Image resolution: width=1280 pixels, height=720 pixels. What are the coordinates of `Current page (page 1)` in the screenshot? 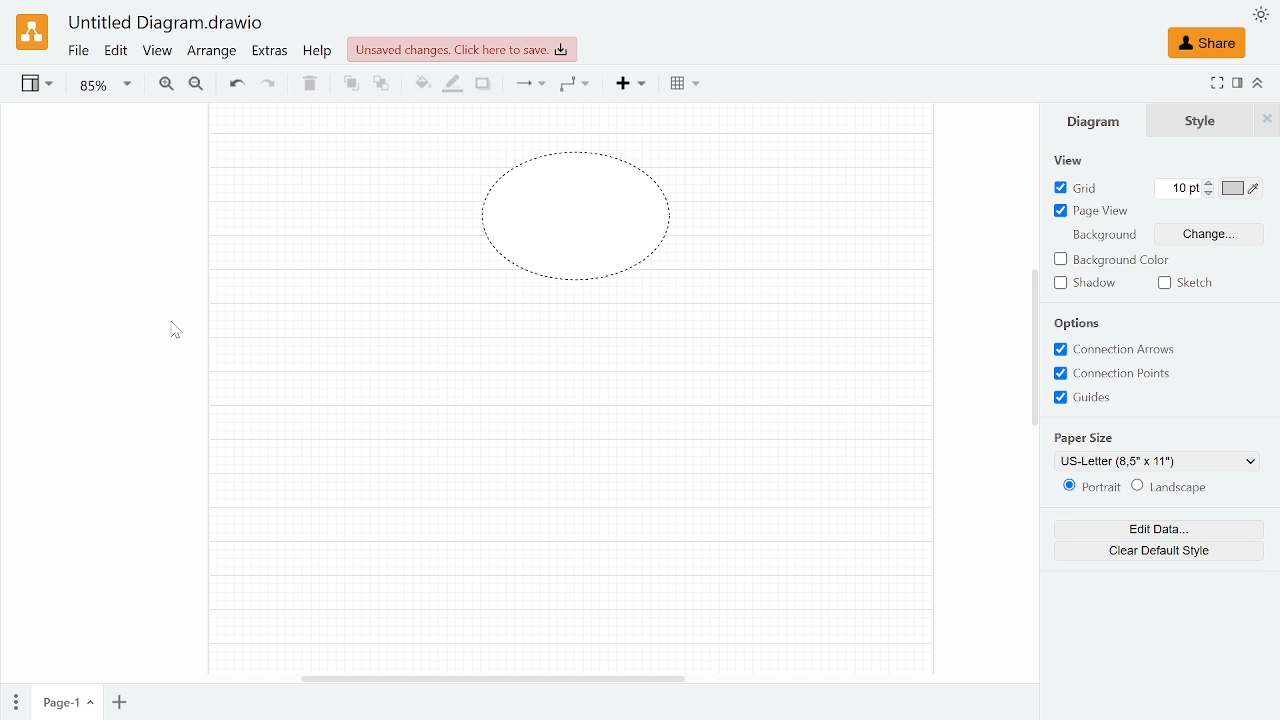 It's located at (67, 704).